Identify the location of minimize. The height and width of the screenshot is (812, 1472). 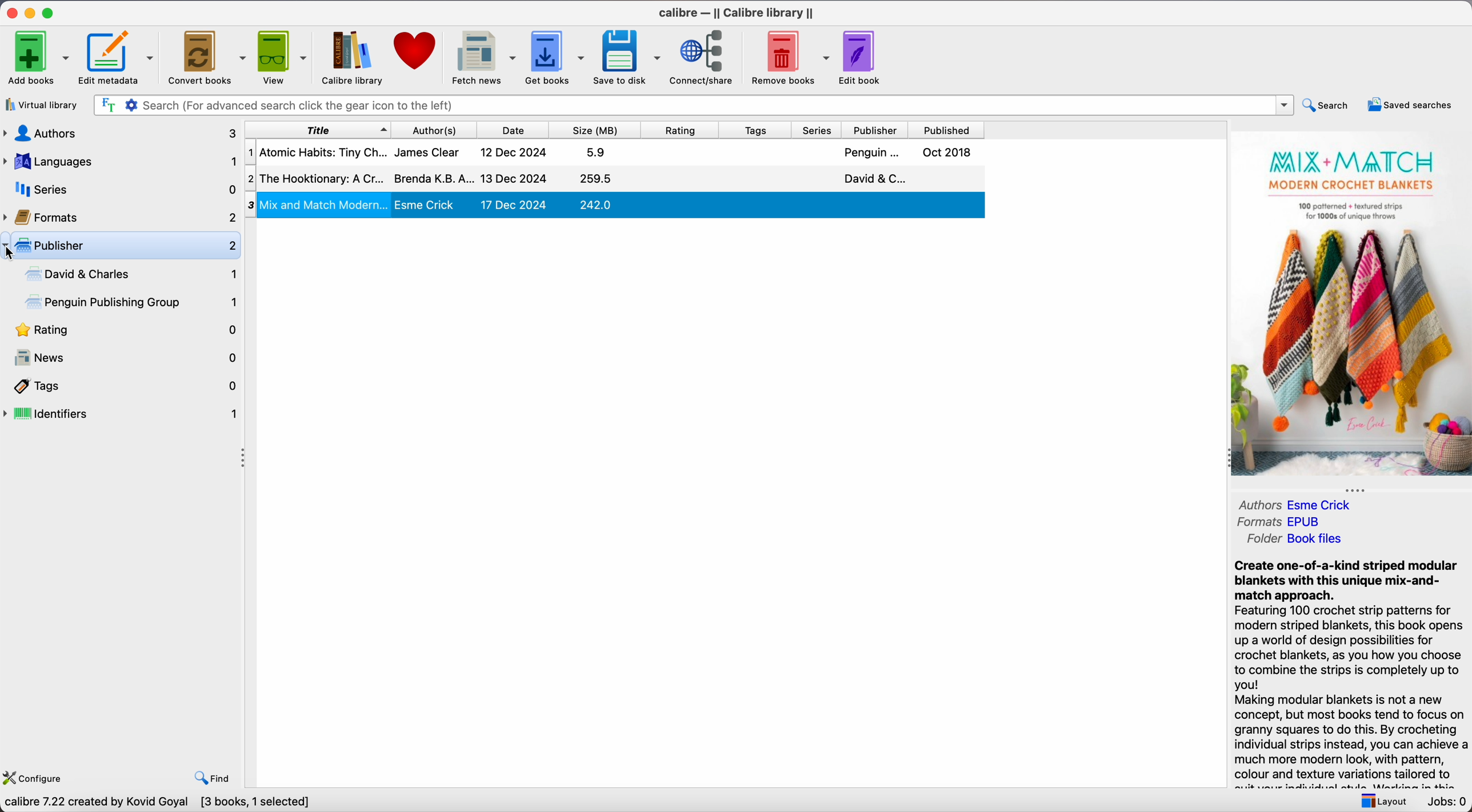
(30, 13).